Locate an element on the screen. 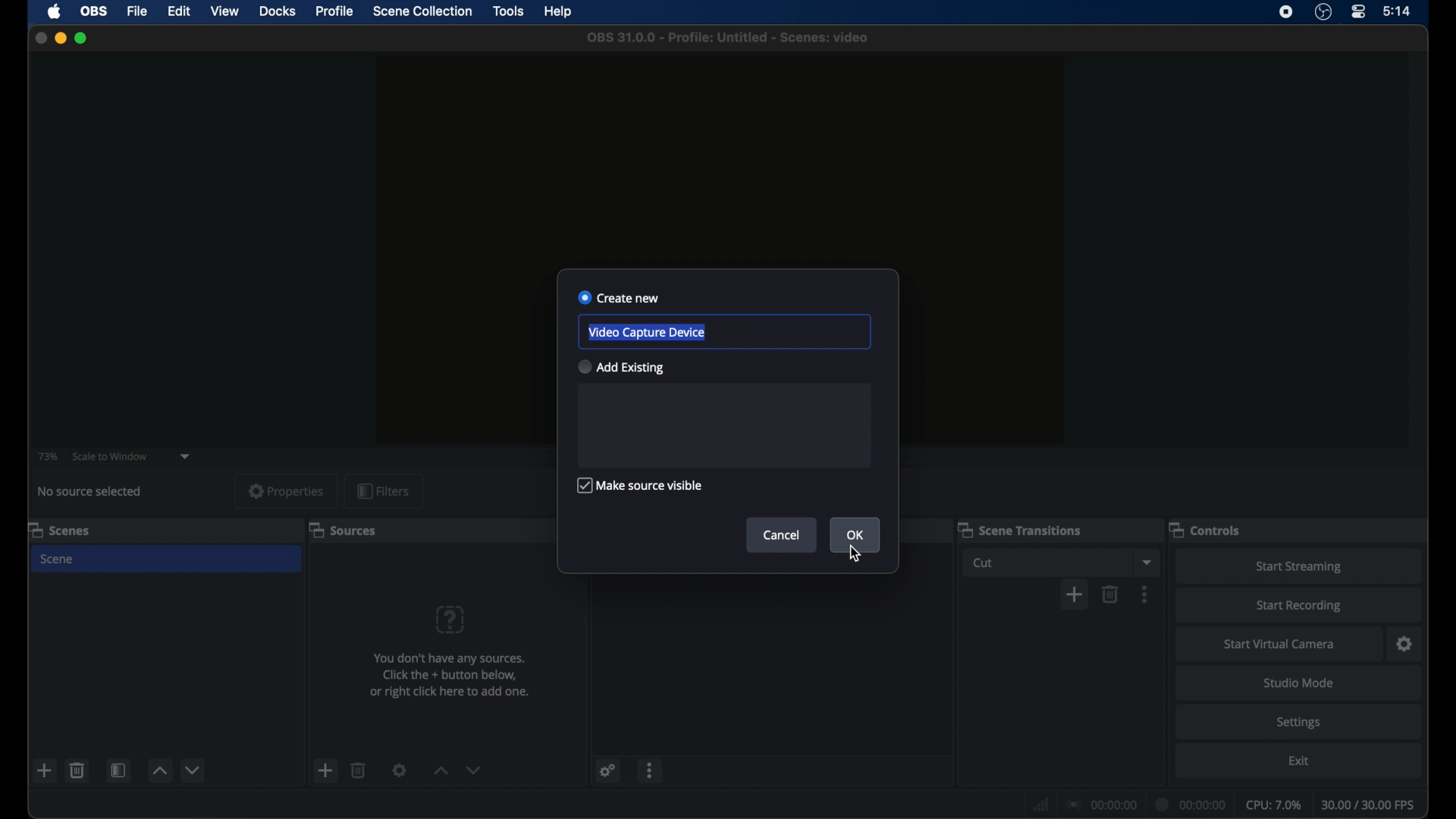 This screenshot has width=1456, height=819. 73% is located at coordinates (46, 457).